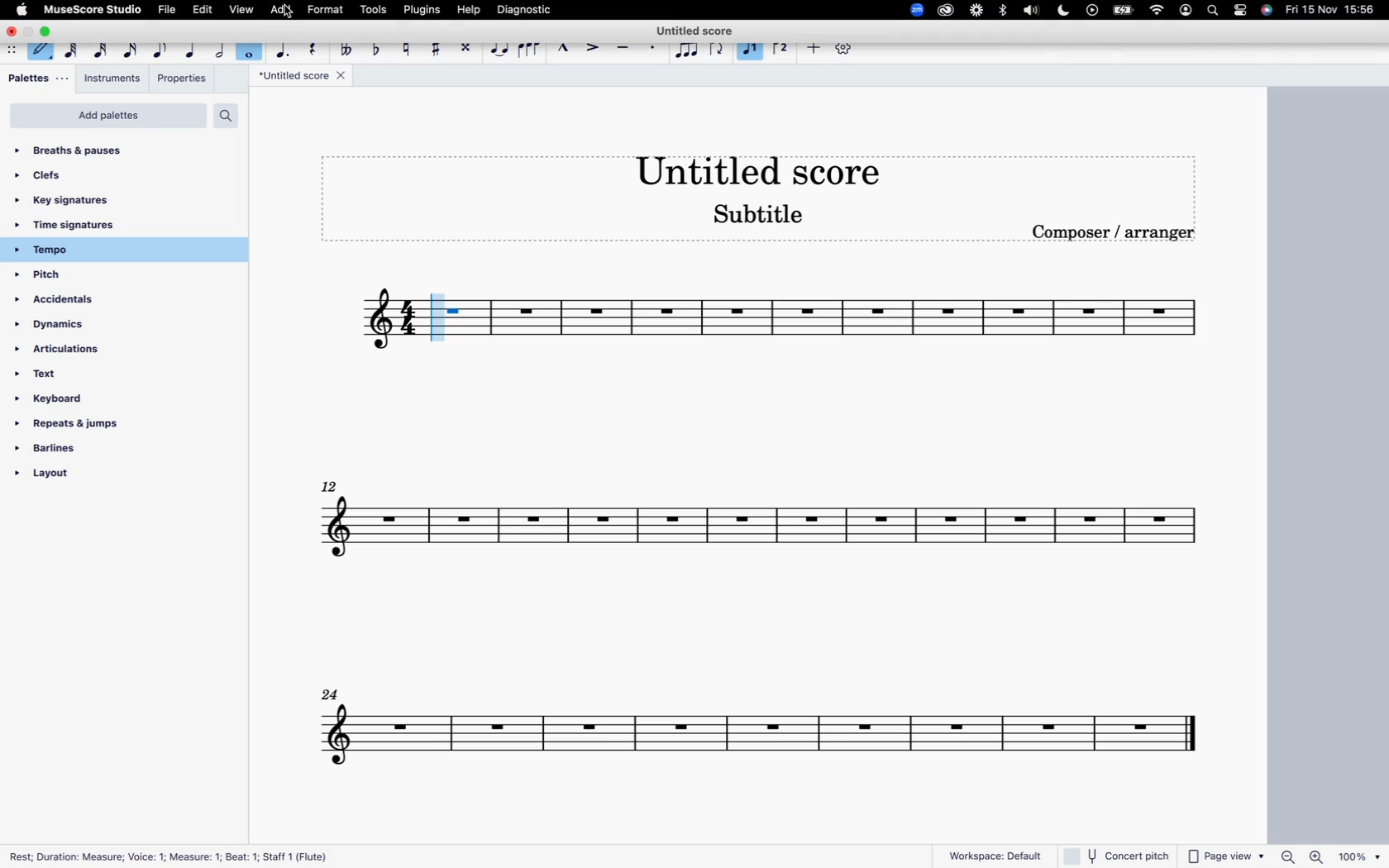 This screenshot has width=1389, height=868. What do you see at coordinates (498, 47) in the screenshot?
I see `tie` at bounding box center [498, 47].